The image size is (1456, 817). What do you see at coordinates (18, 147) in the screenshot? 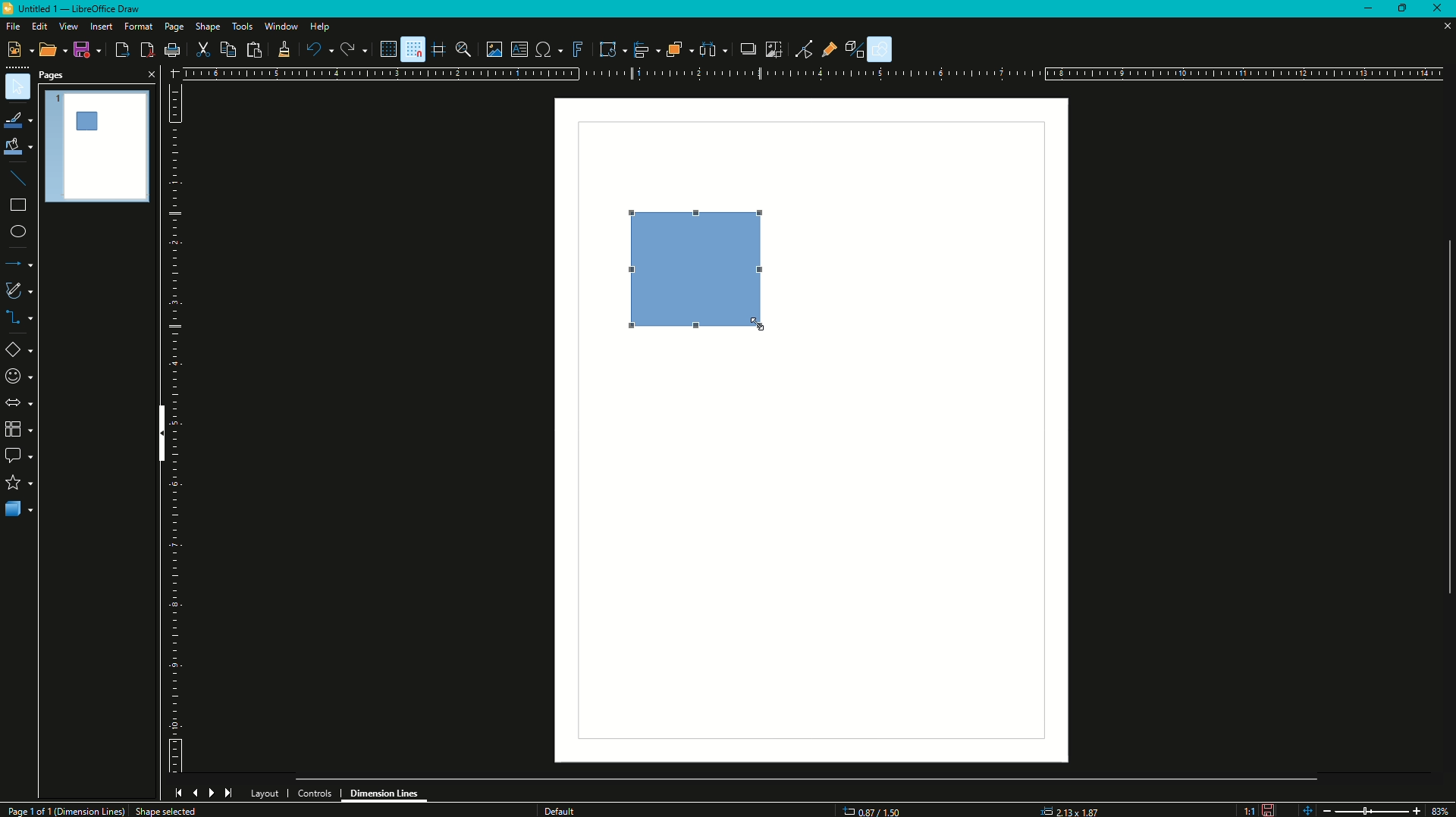
I see `Fill Color` at bounding box center [18, 147].